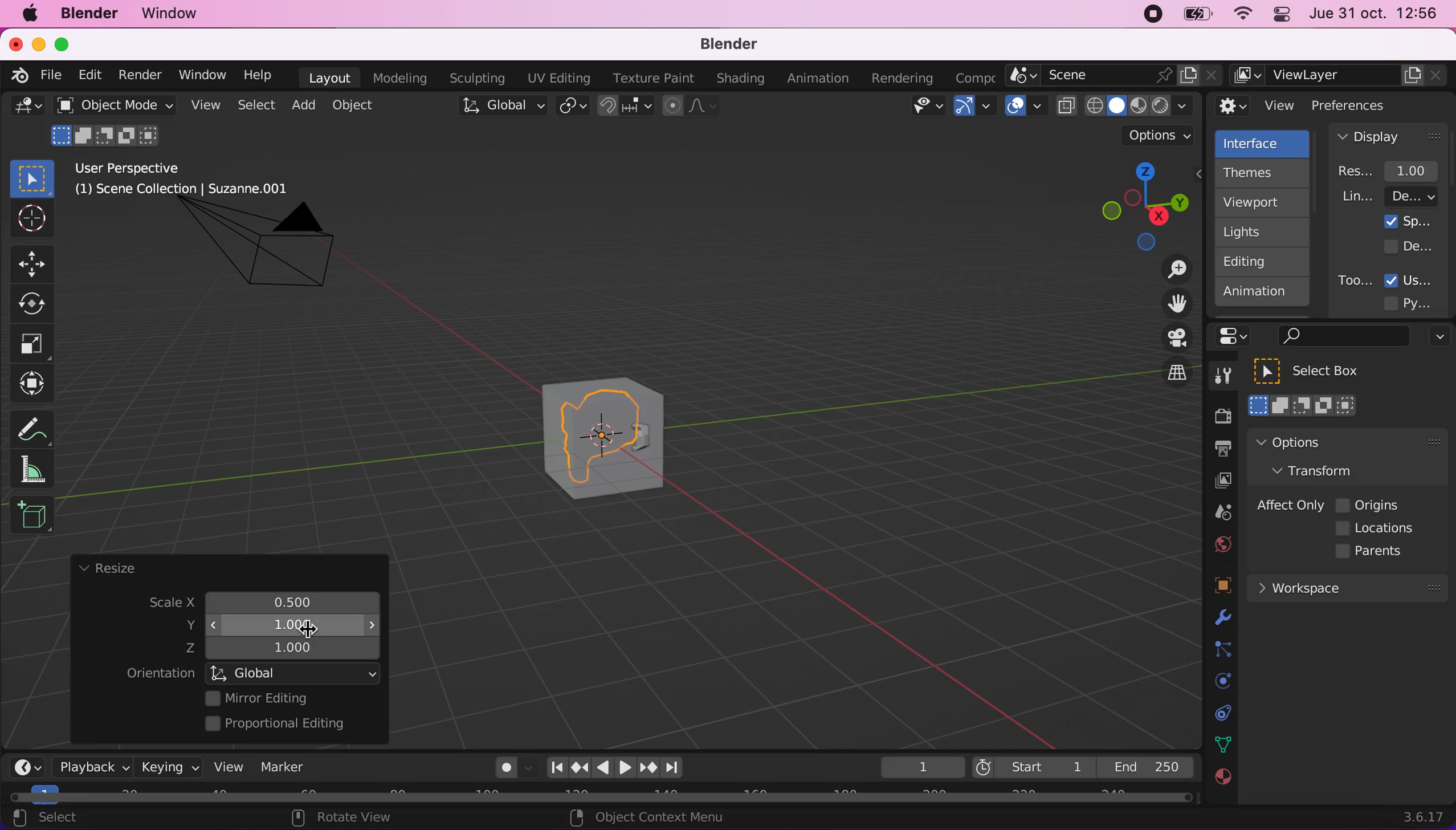 The image size is (1456, 830). What do you see at coordinates (1032, 767) in the screenshot?
I see `start 1` at bounding box center [1032, 767].